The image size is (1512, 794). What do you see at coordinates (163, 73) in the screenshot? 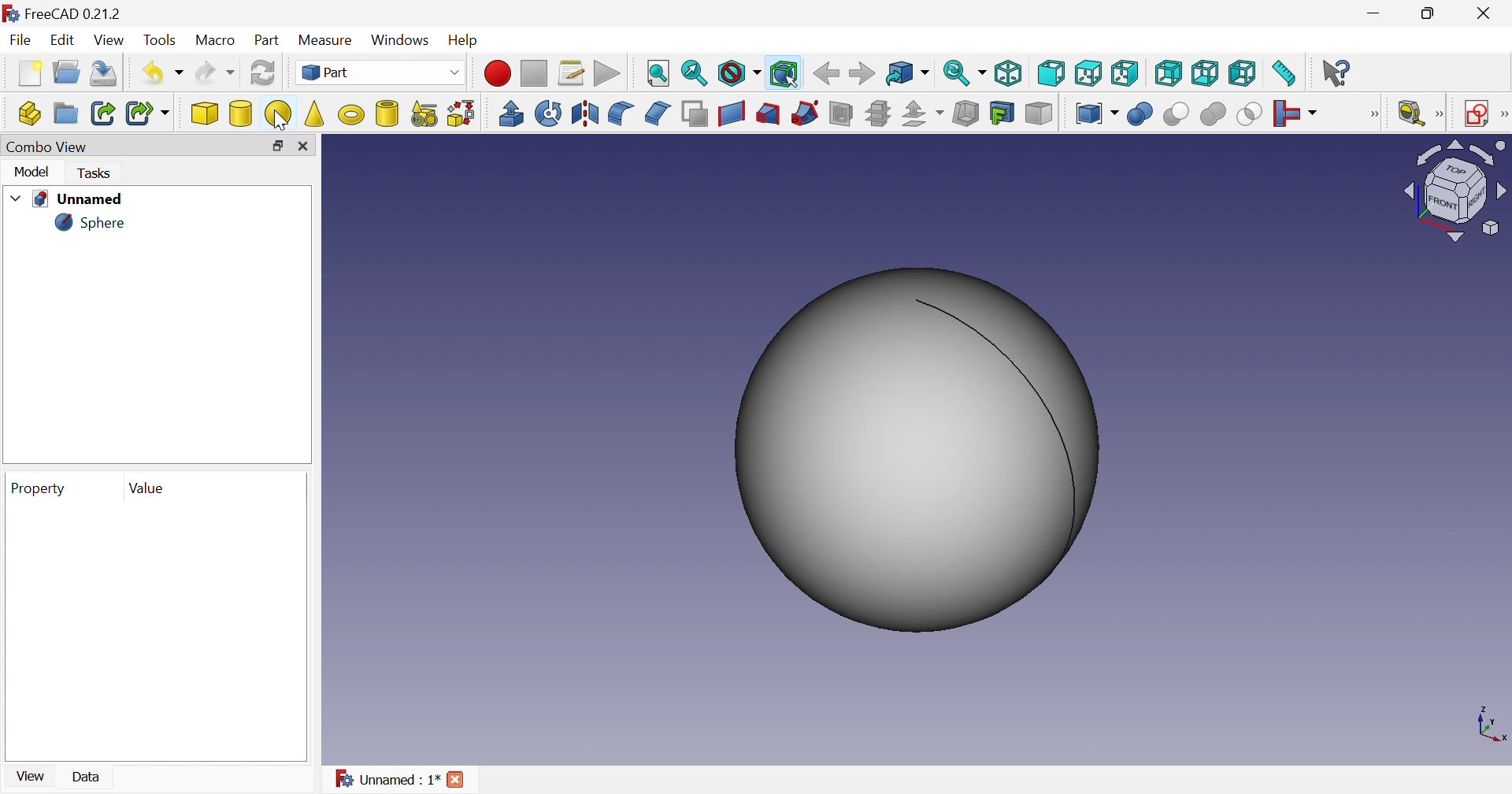
I see `Undo` at bounding box center [163, 73].